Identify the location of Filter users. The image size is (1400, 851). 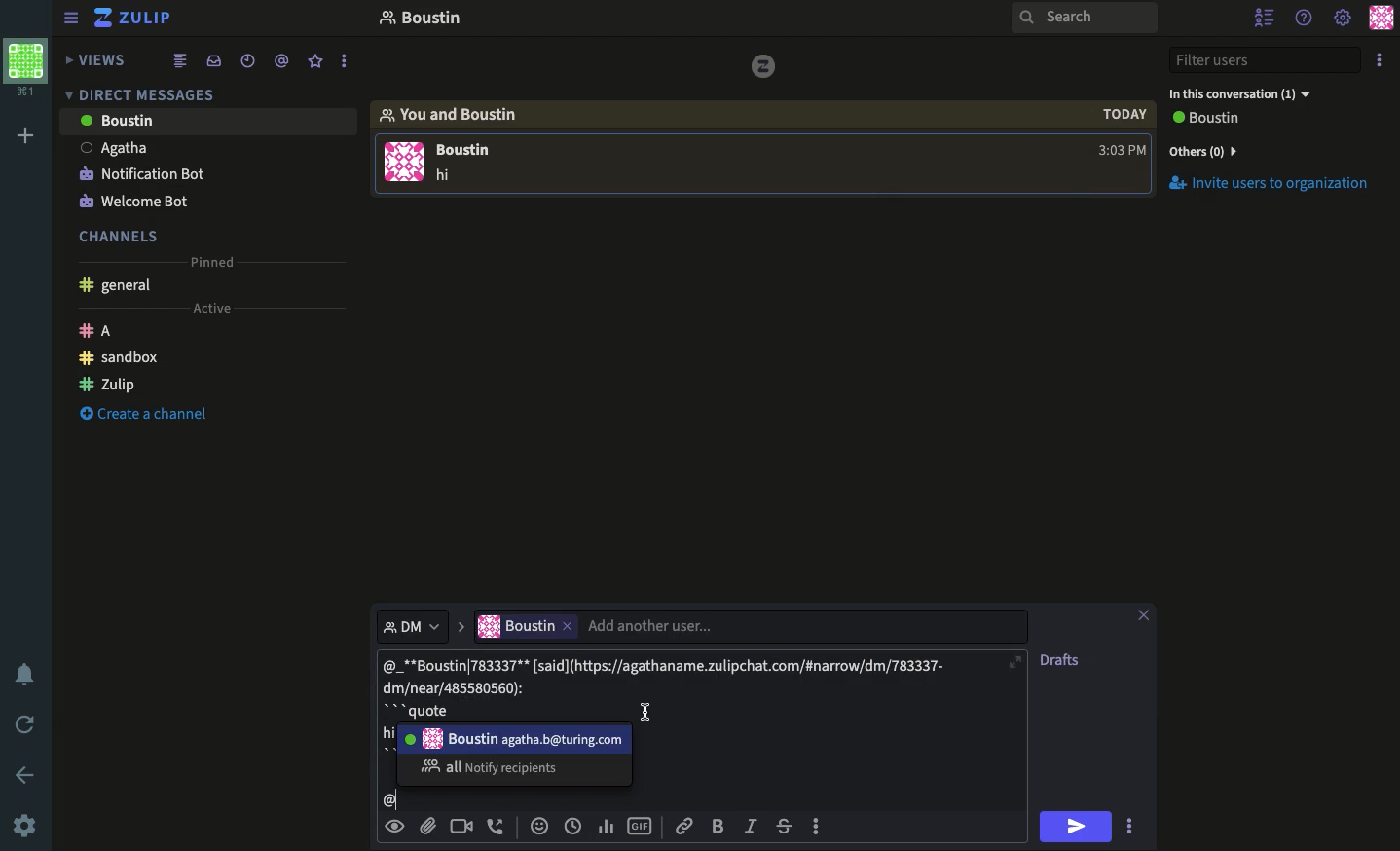
(1268, 61).